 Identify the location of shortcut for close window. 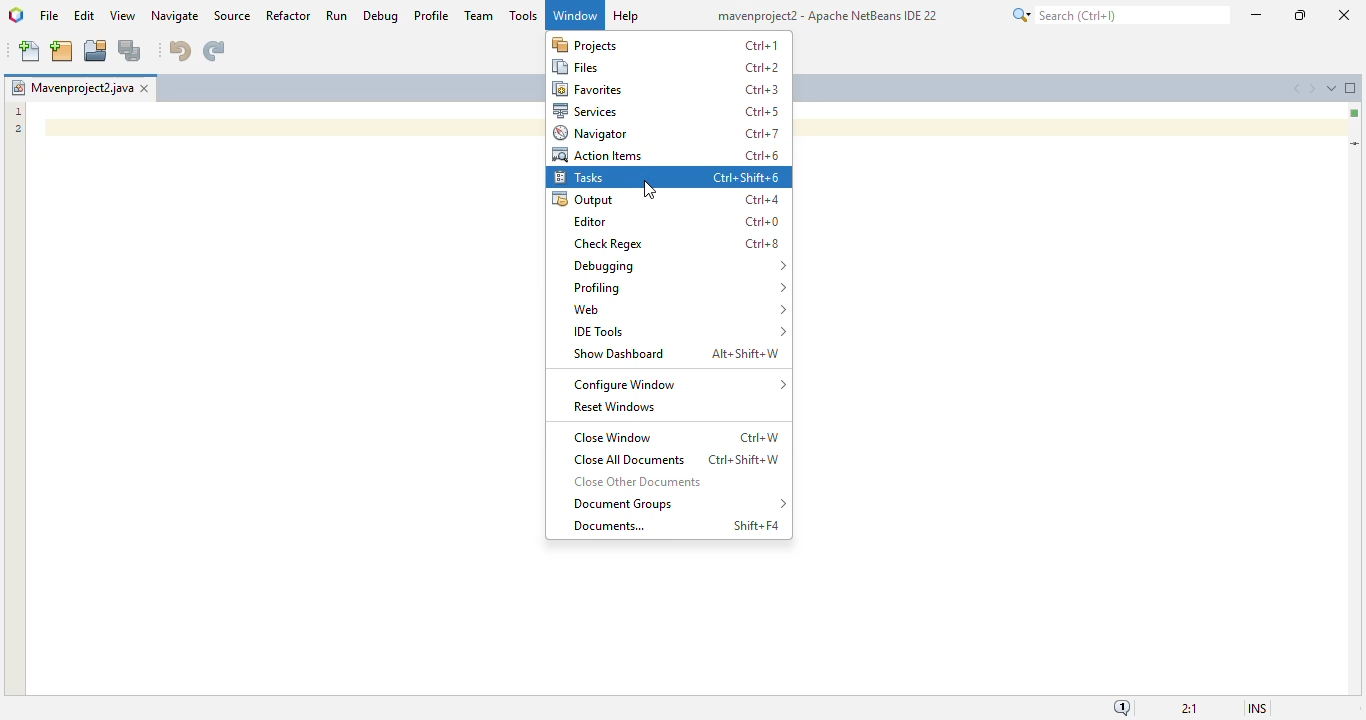
(760, 438).